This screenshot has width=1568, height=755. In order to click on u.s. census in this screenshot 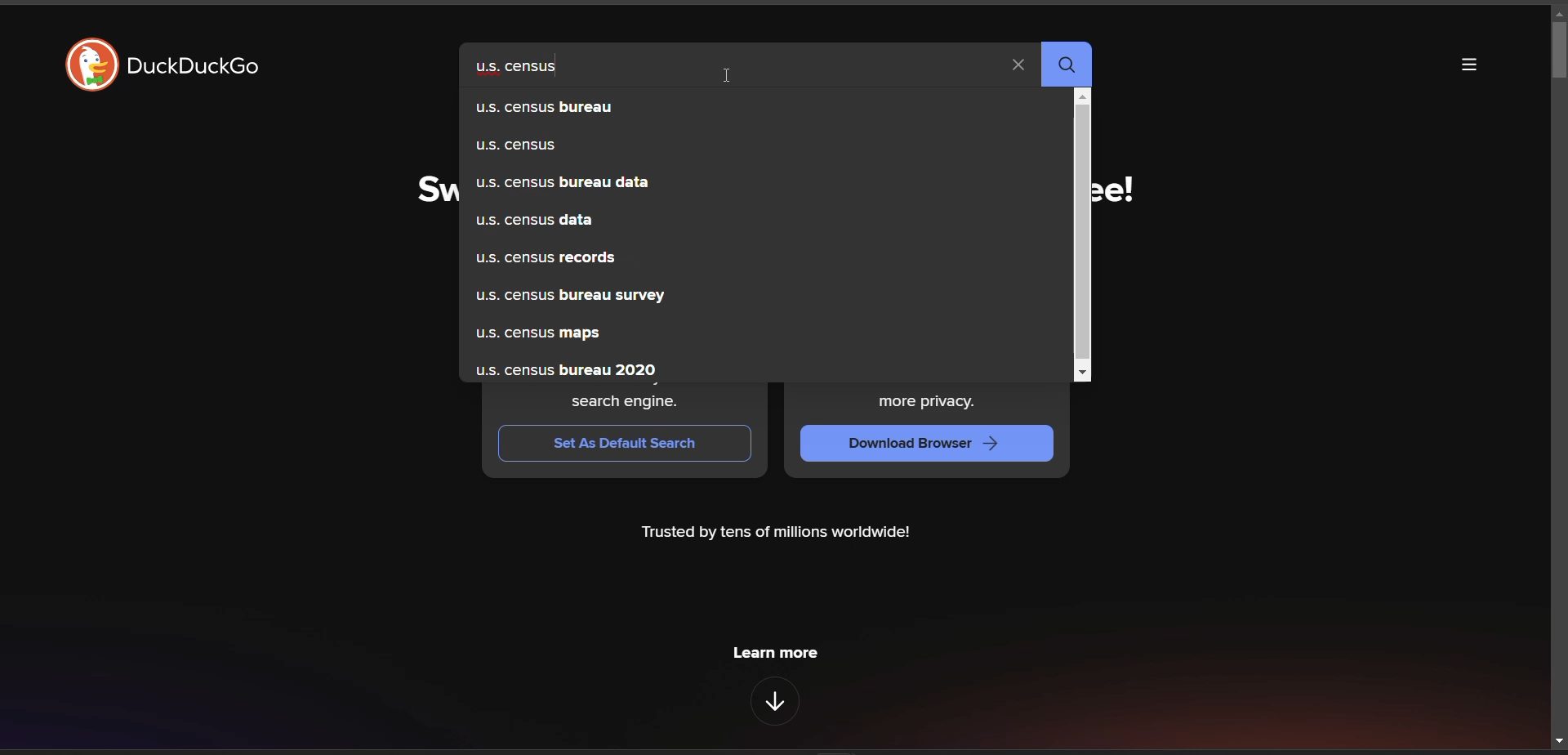, I will do `click(760, 149)`.